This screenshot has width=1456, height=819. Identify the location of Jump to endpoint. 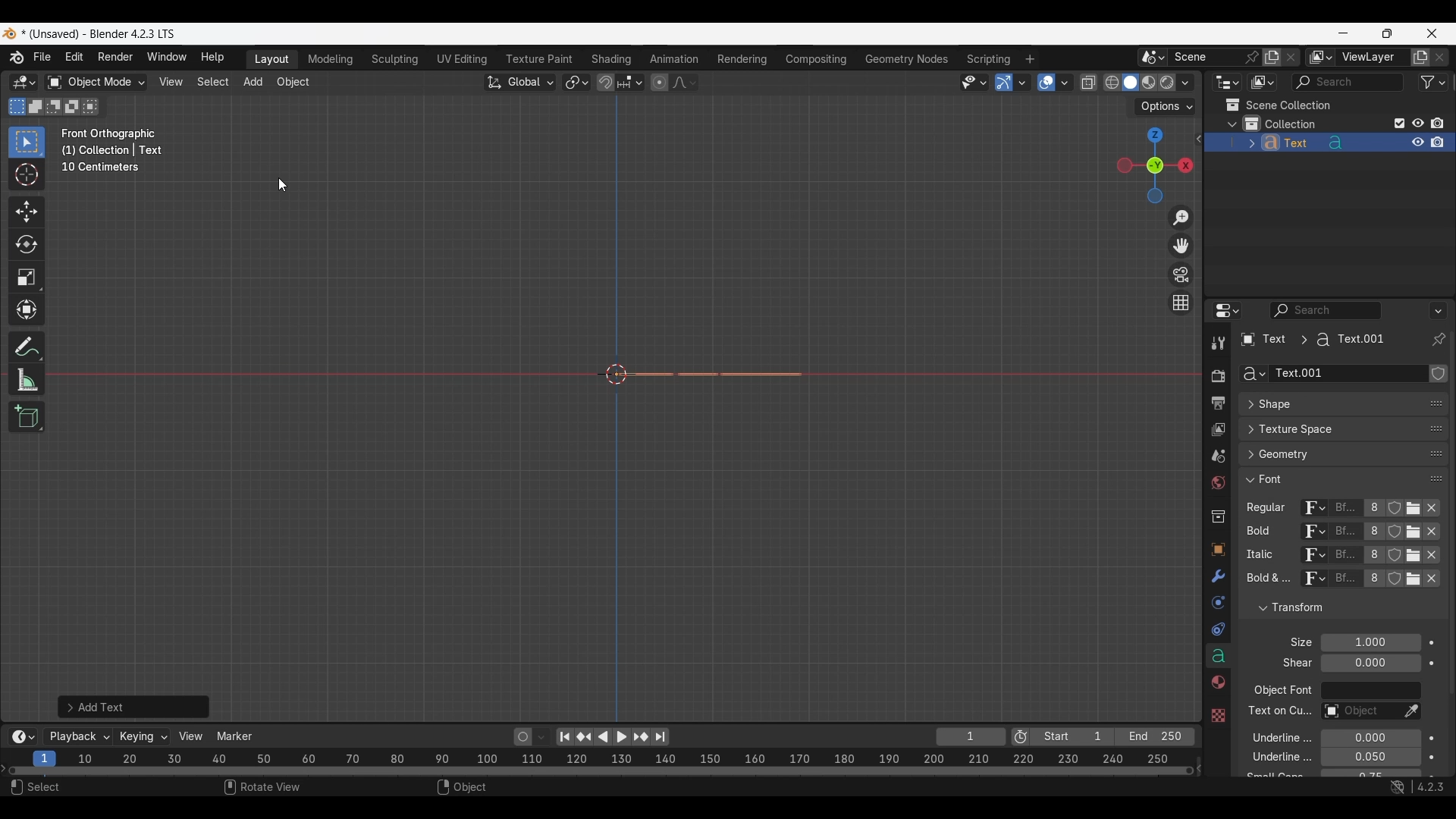
(565, 737).